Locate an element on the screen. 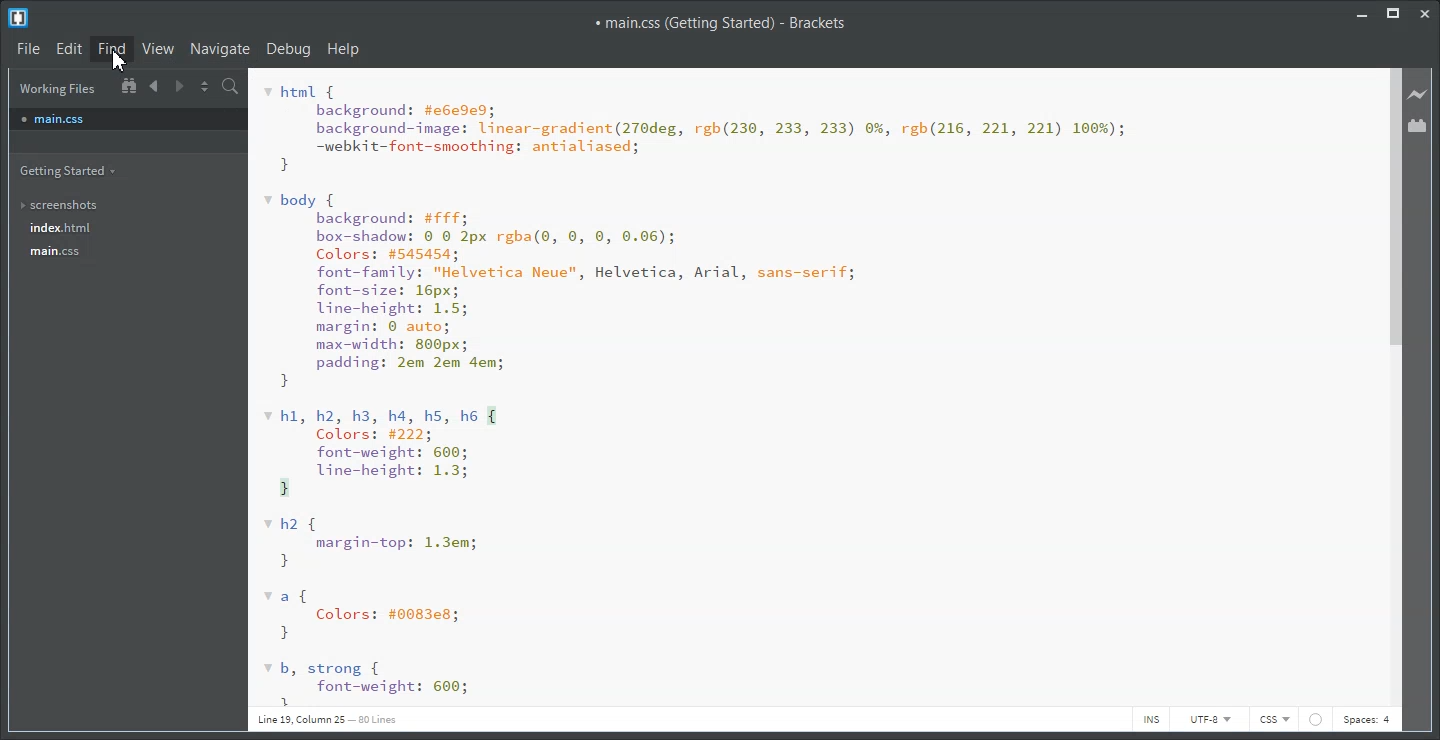 This screenshot has height=740, width=1440. Getting Started is located at coordinates (72, 171).